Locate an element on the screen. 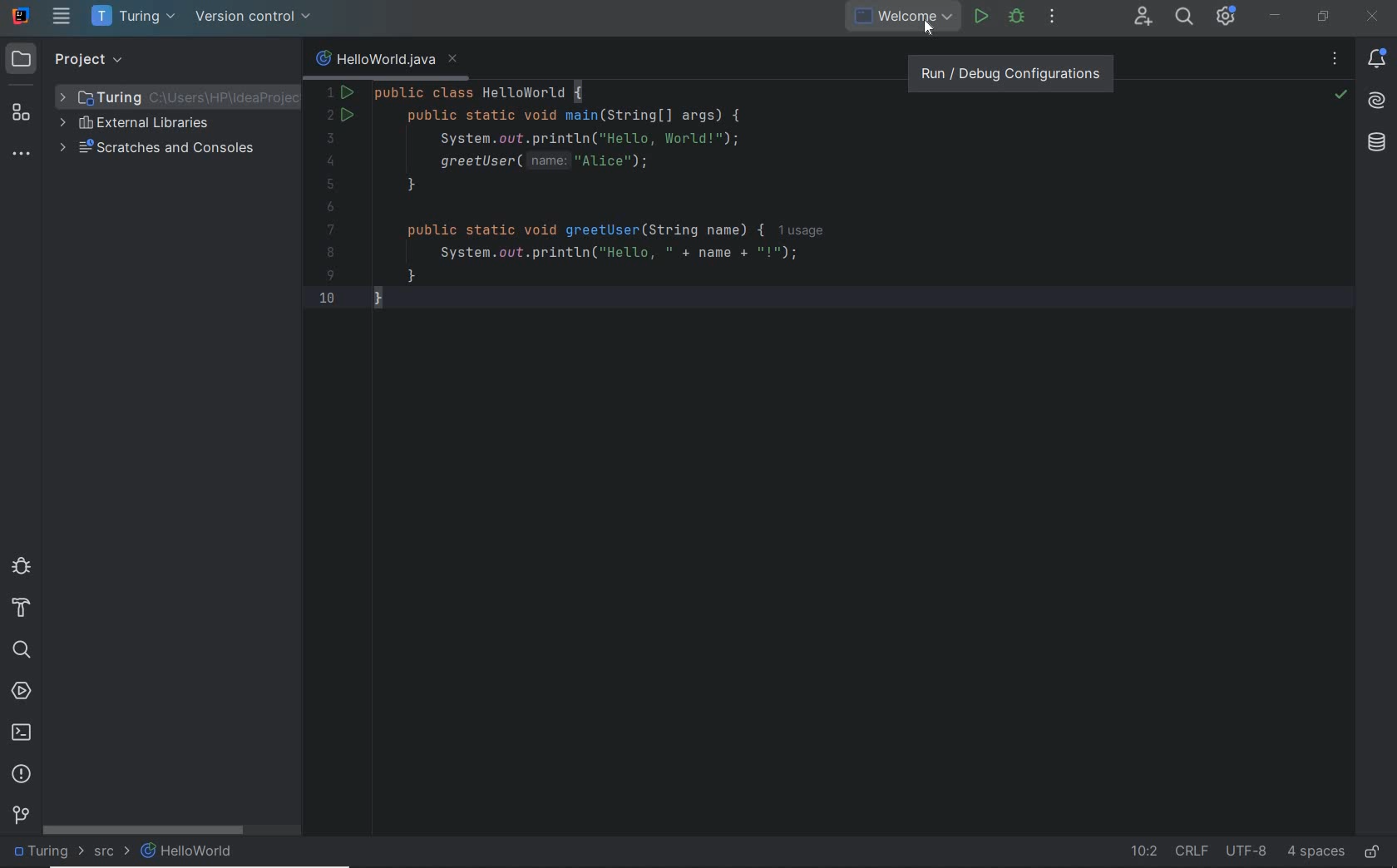 This screenshot has width=1397, height=868. line separator is located at coordinates (1192, 851).